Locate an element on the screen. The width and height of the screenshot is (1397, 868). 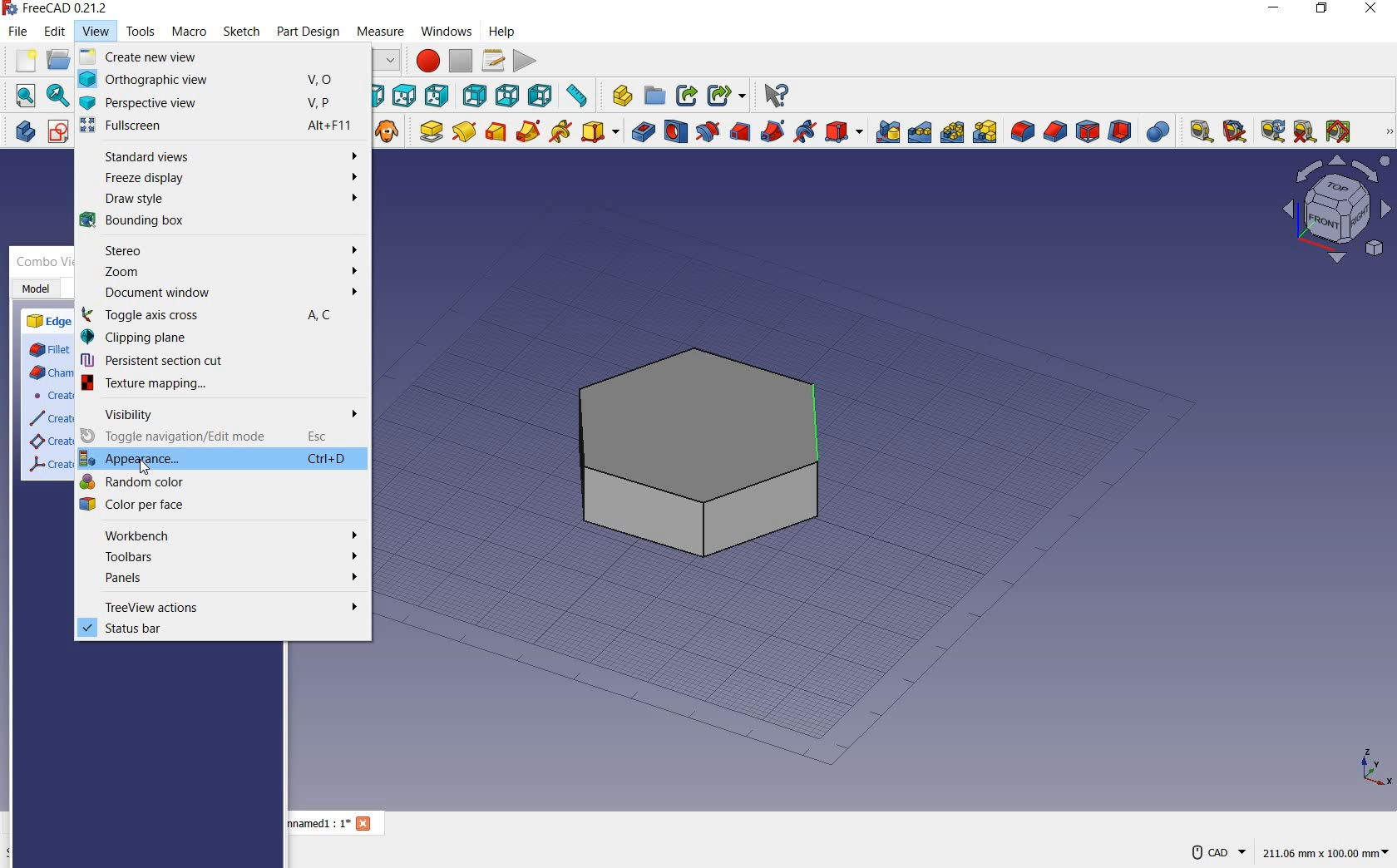
Workbench layout is located at coordinates (1297, 216).